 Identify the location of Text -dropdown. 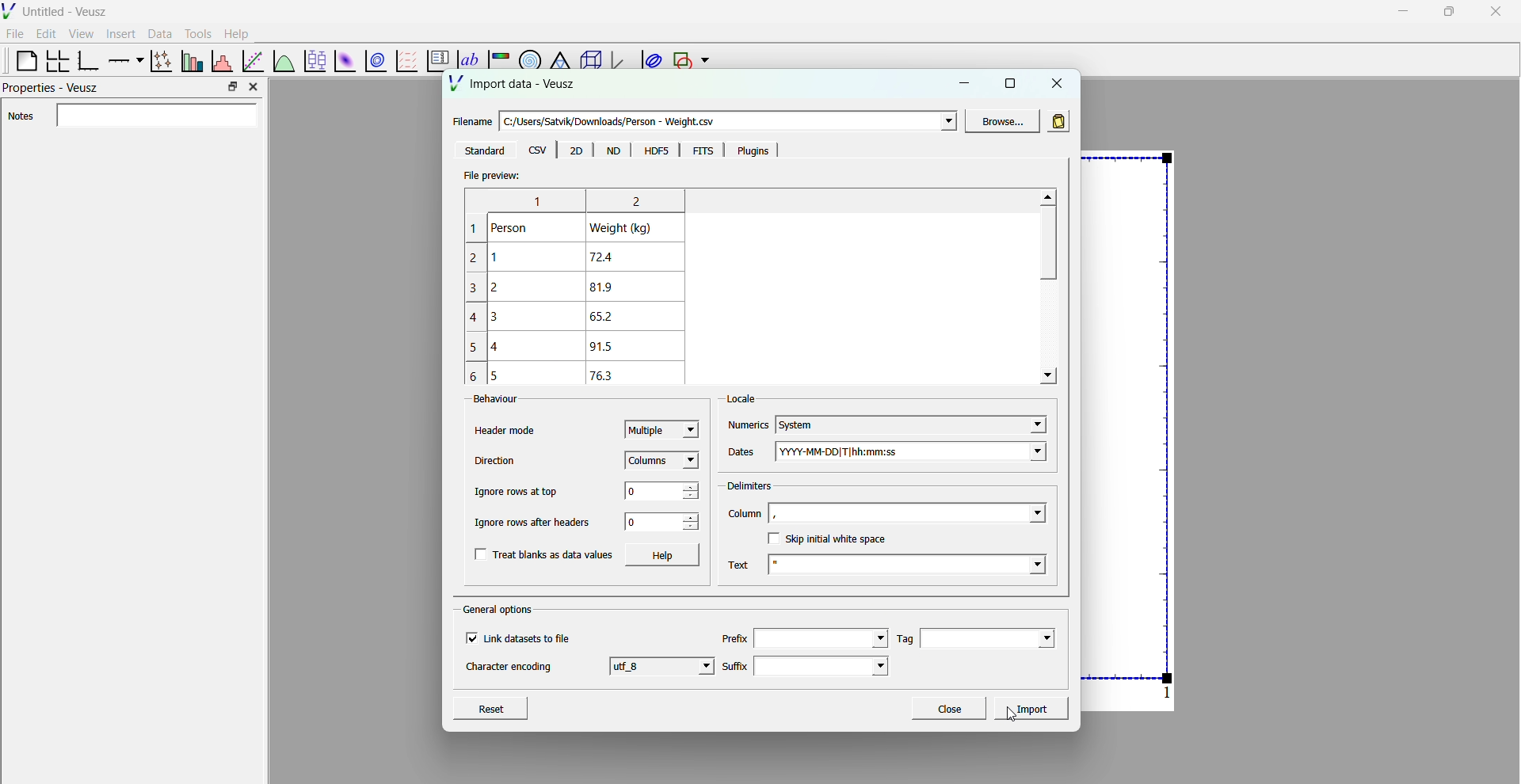
(921, 568).